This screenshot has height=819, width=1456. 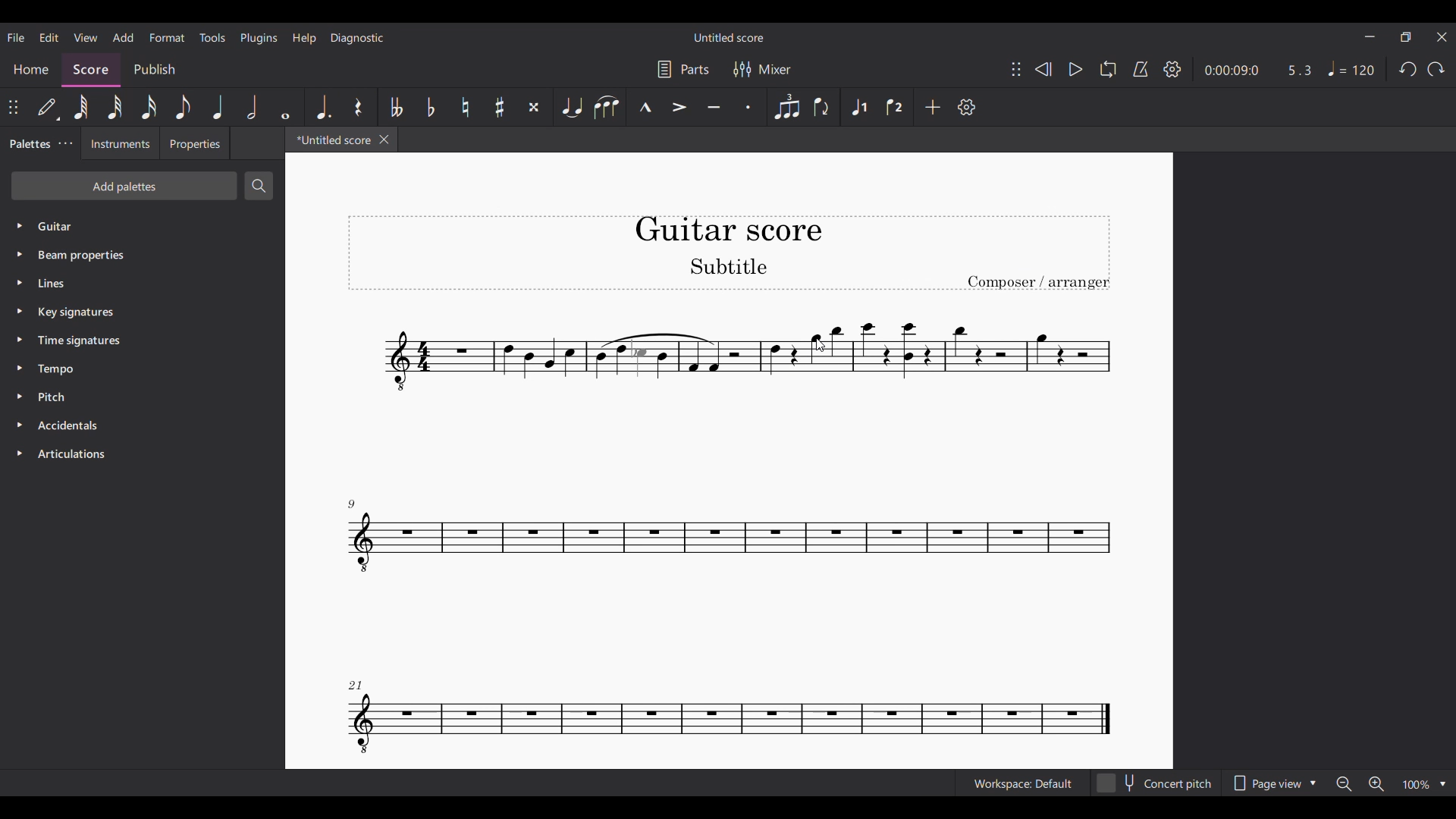 What do you see at coordinates (65, 143) in the screenshot?
I see `Palette tab settings` at bounding box center [65, 143].